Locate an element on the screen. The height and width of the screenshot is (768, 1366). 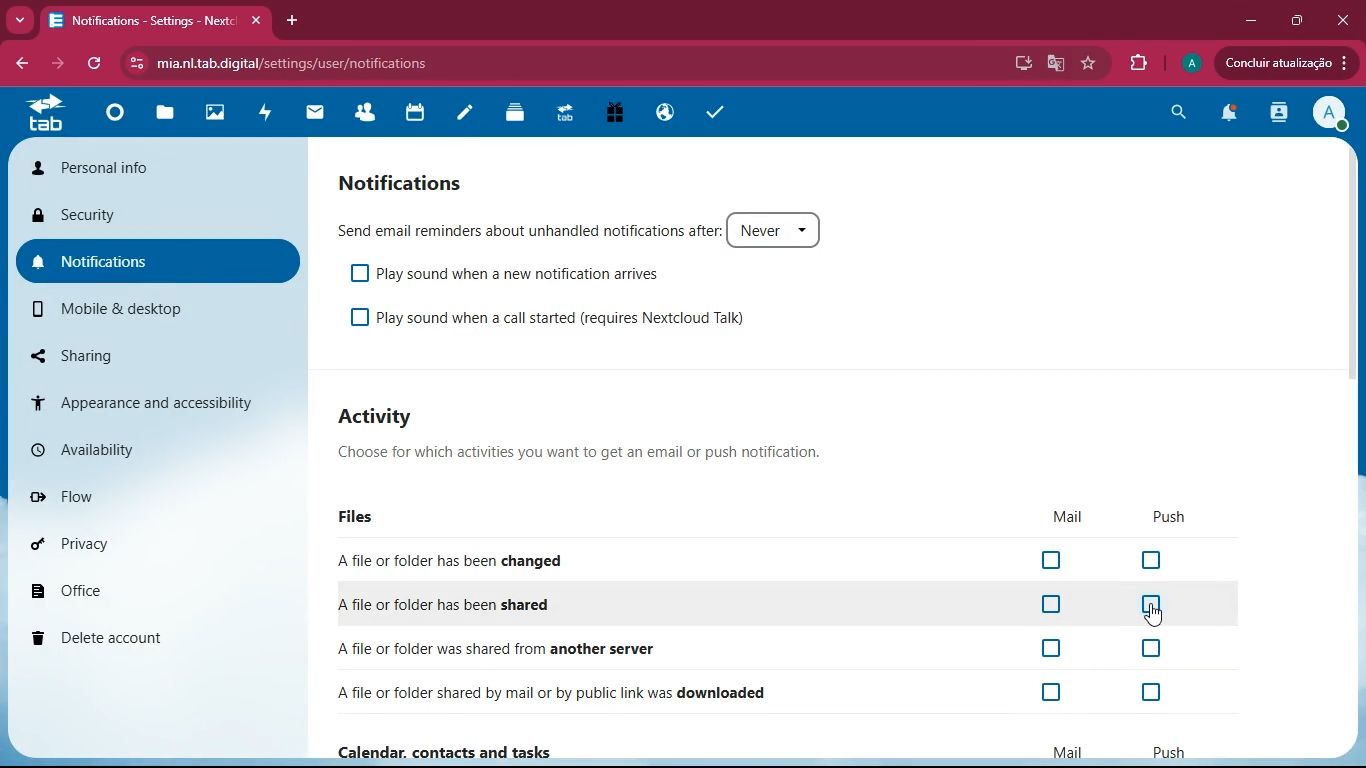
close is located at coordinates (1346, 18).